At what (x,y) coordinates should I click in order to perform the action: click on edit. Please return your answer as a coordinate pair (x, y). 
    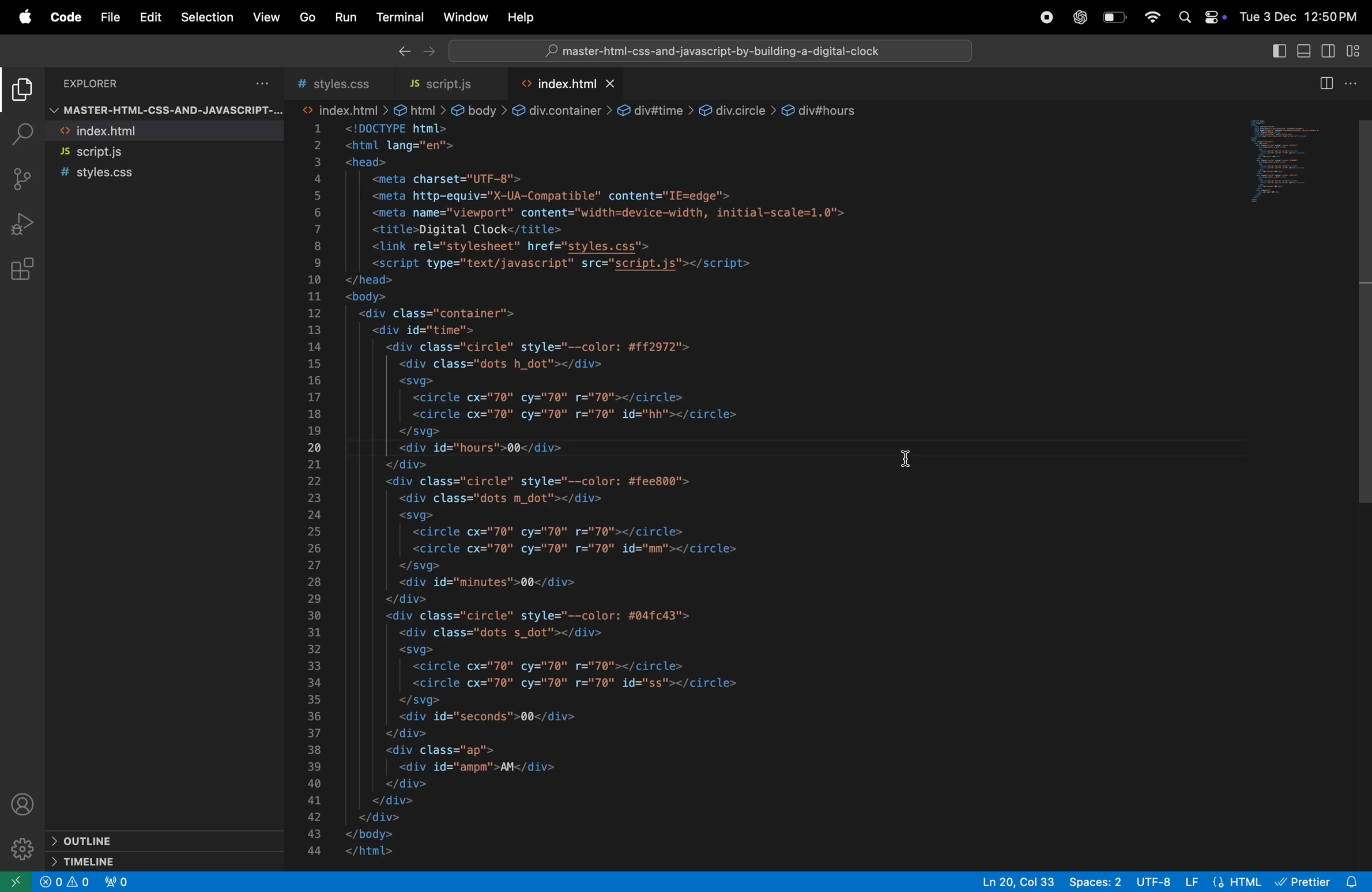
    Looking at the image, I should click on (150, 18).